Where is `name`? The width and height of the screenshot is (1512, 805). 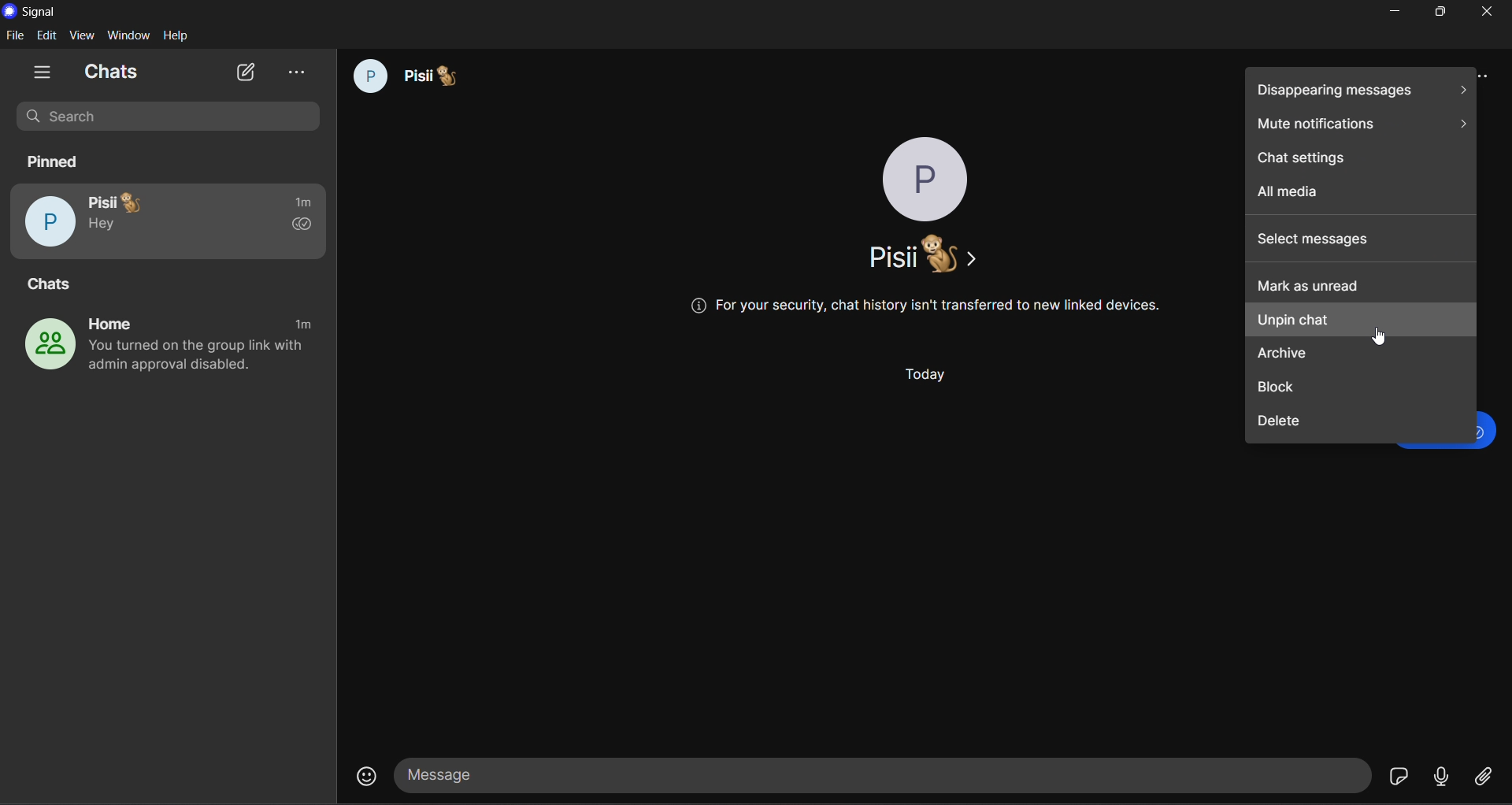 name is located at coordinates (923, 253).